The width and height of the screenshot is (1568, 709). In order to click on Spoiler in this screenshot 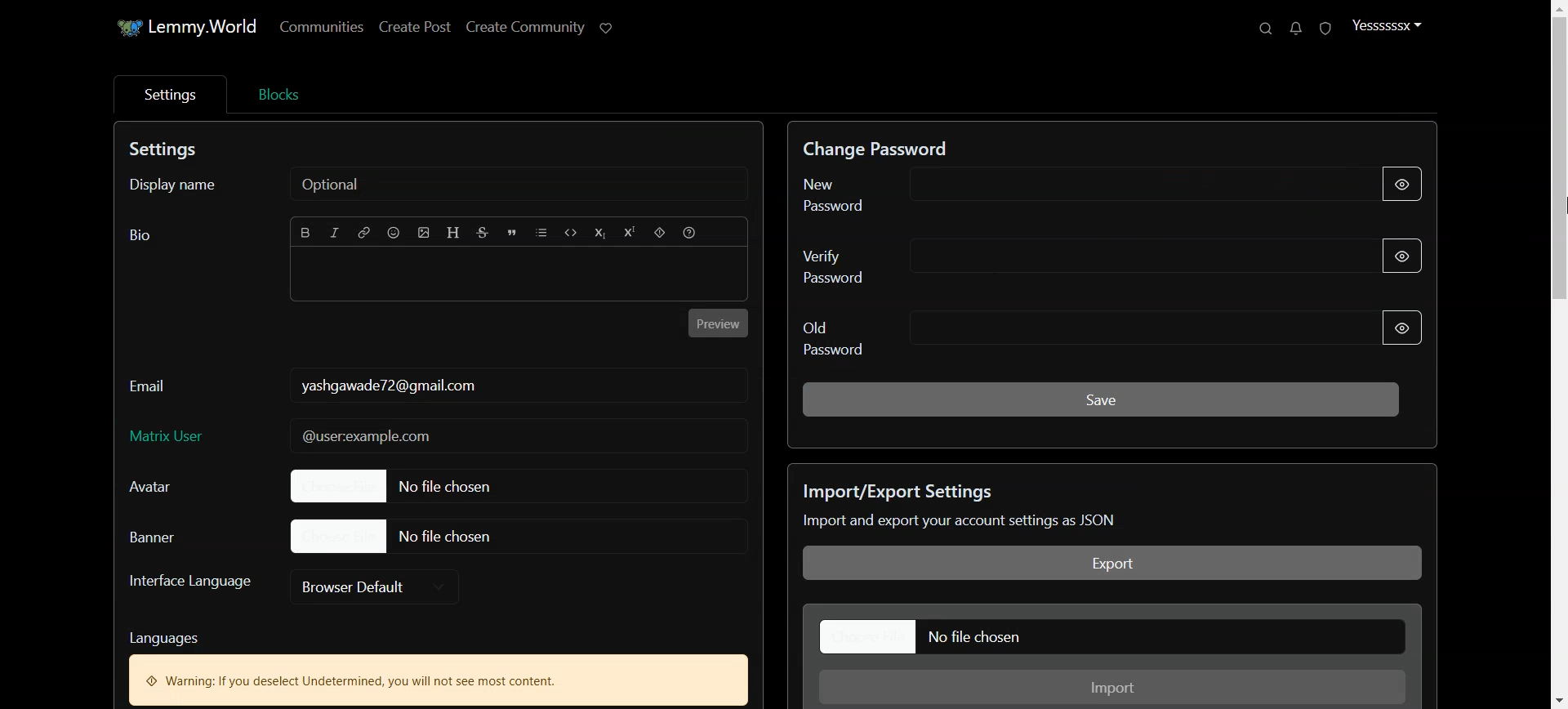, I will do `click(659, 233)`.